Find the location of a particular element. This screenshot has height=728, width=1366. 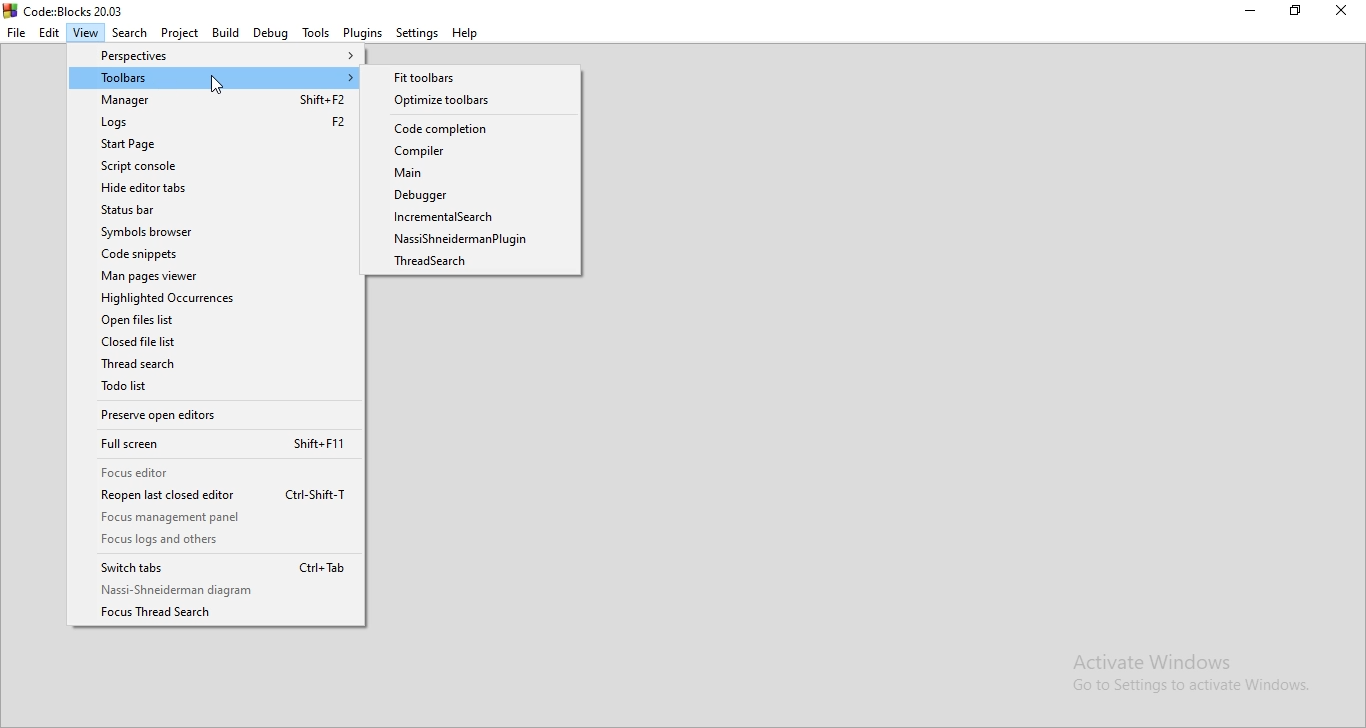

View  is located at coordinates (86, 33).